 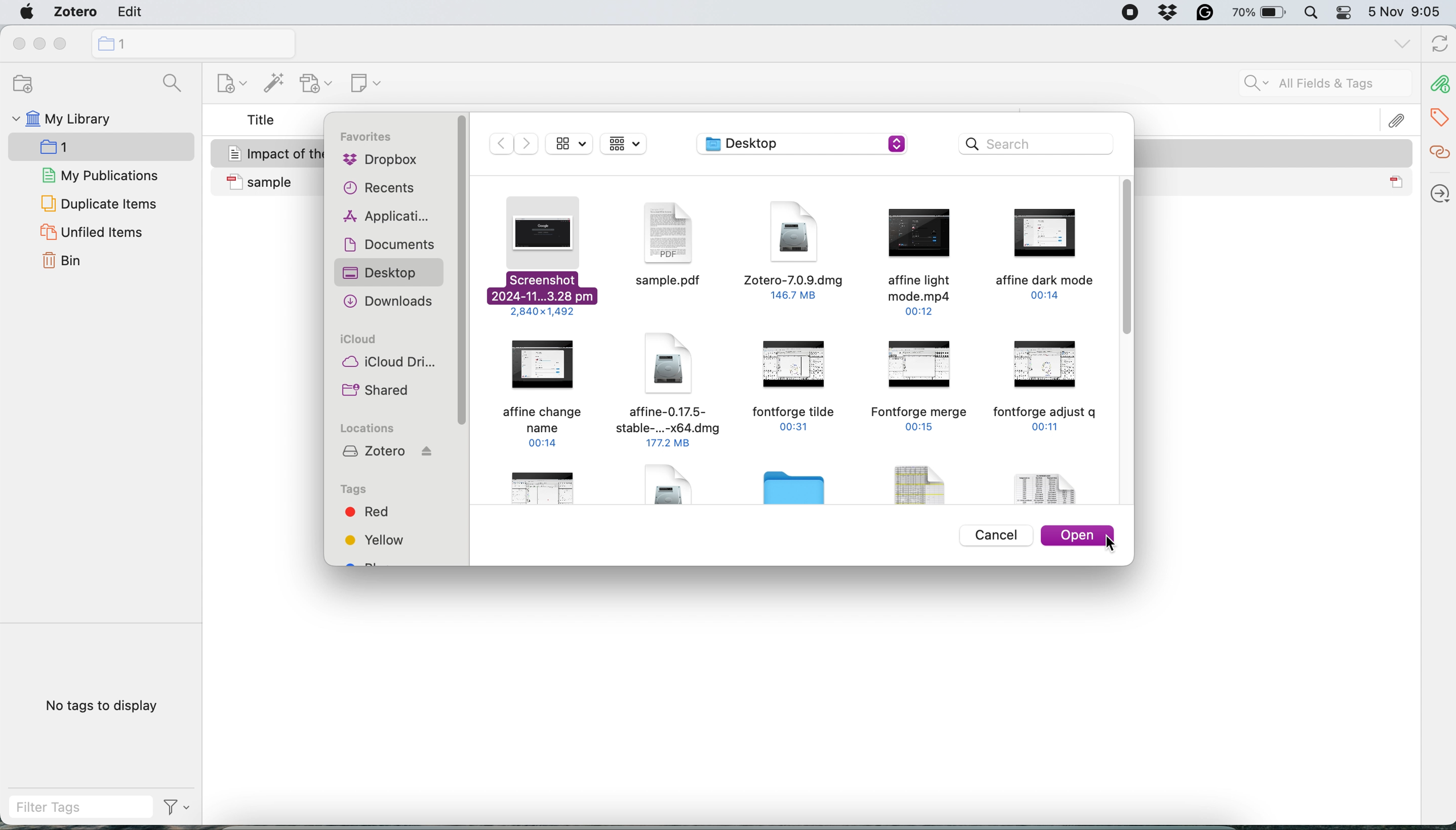 I want to click on control center, so click(x=1344, y=15).